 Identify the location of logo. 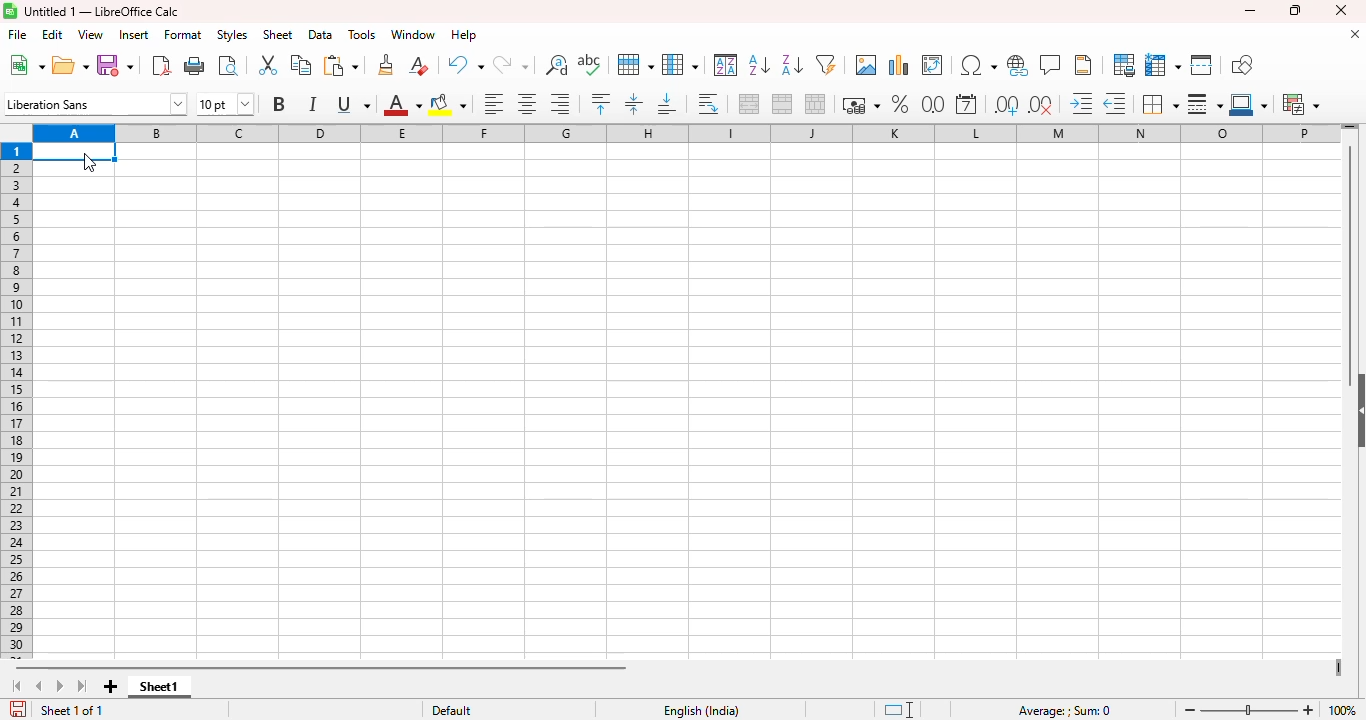
(10, 11).